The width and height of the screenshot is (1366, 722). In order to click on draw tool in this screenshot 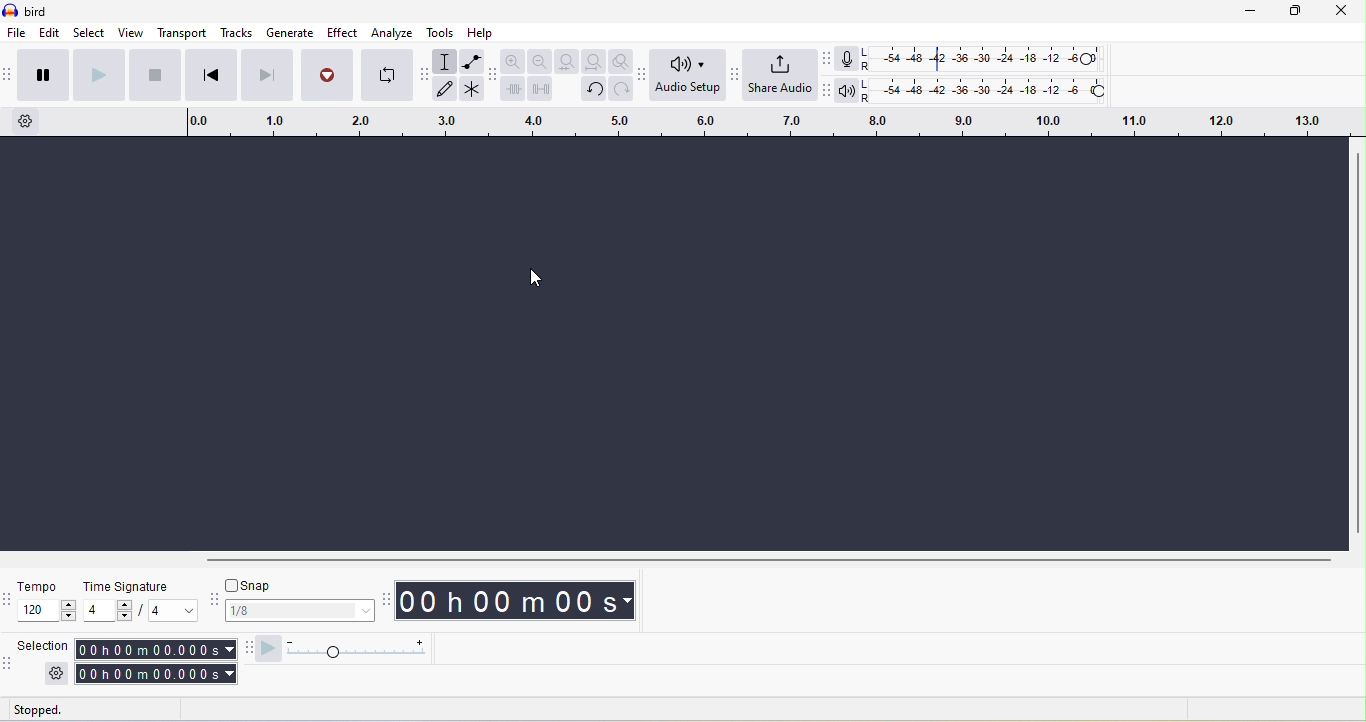, I will do `click(449, 92)`.